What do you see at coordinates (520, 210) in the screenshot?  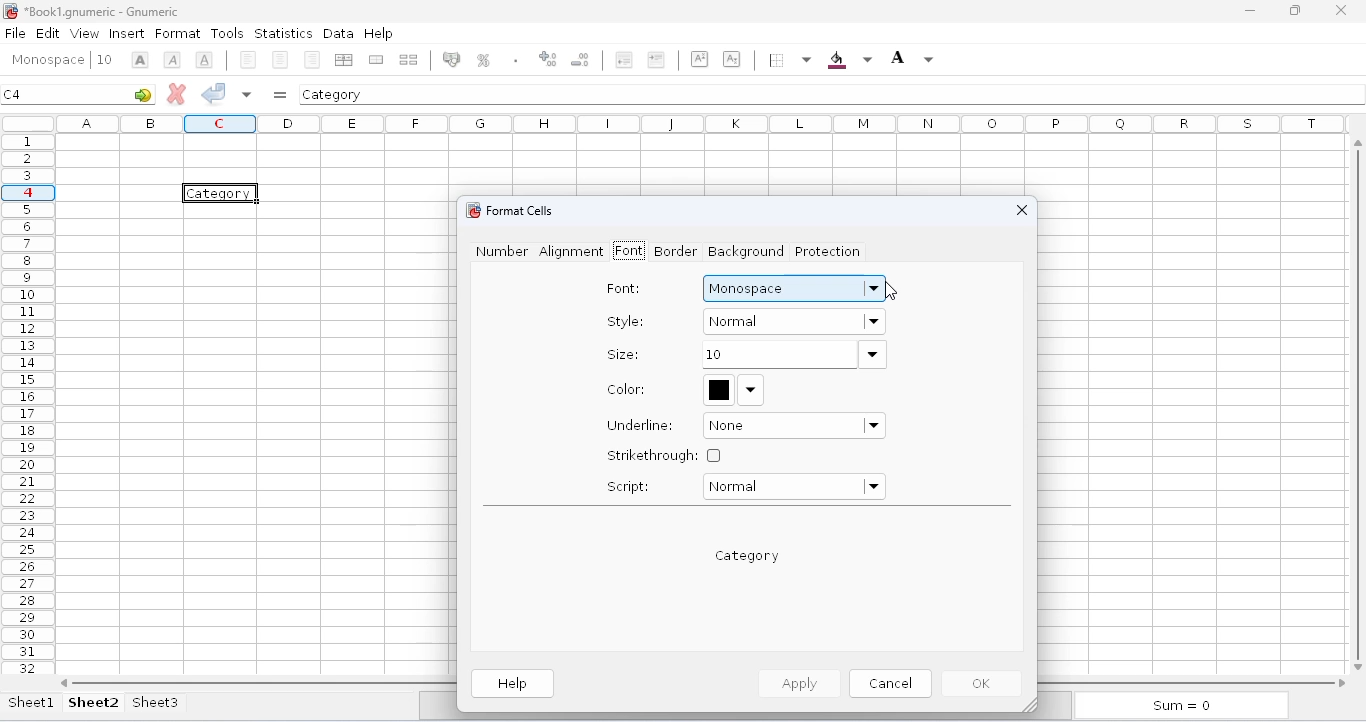 I see `format cells` at bounding box center [520, 210].